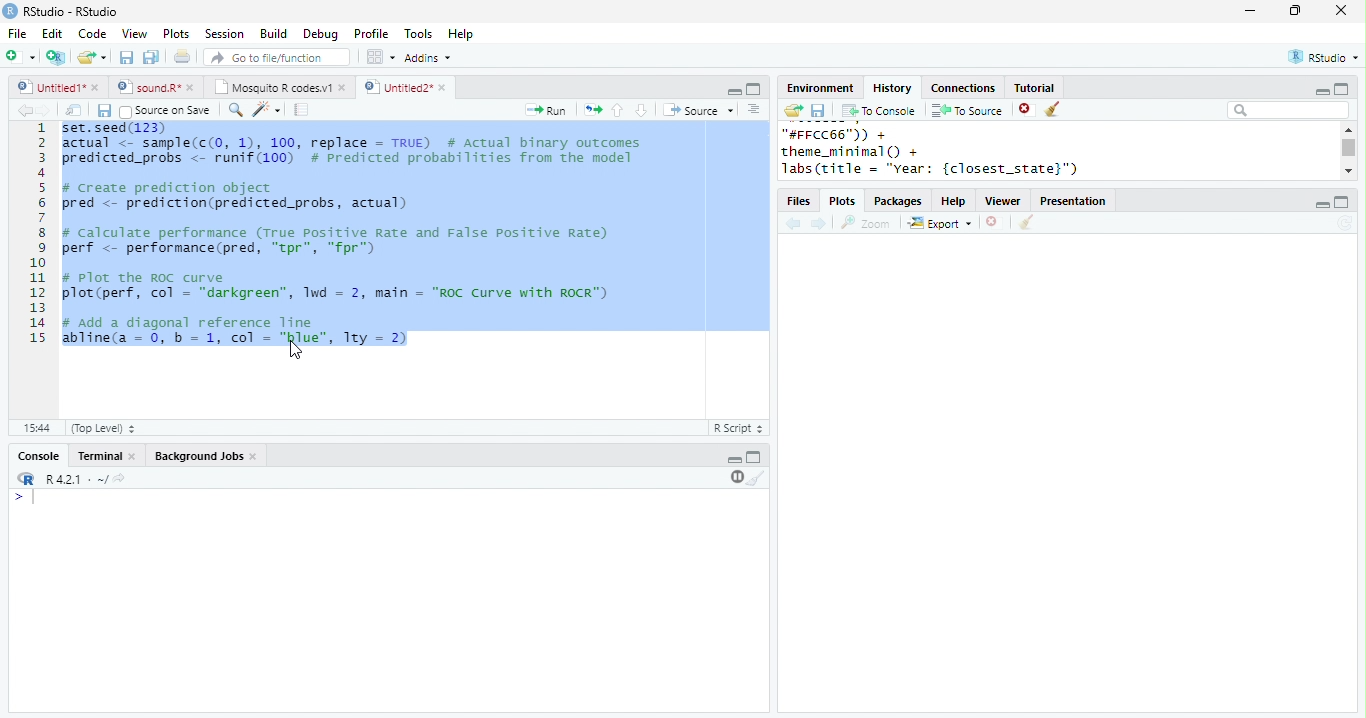  I want to click on save all, so click(151, 57).